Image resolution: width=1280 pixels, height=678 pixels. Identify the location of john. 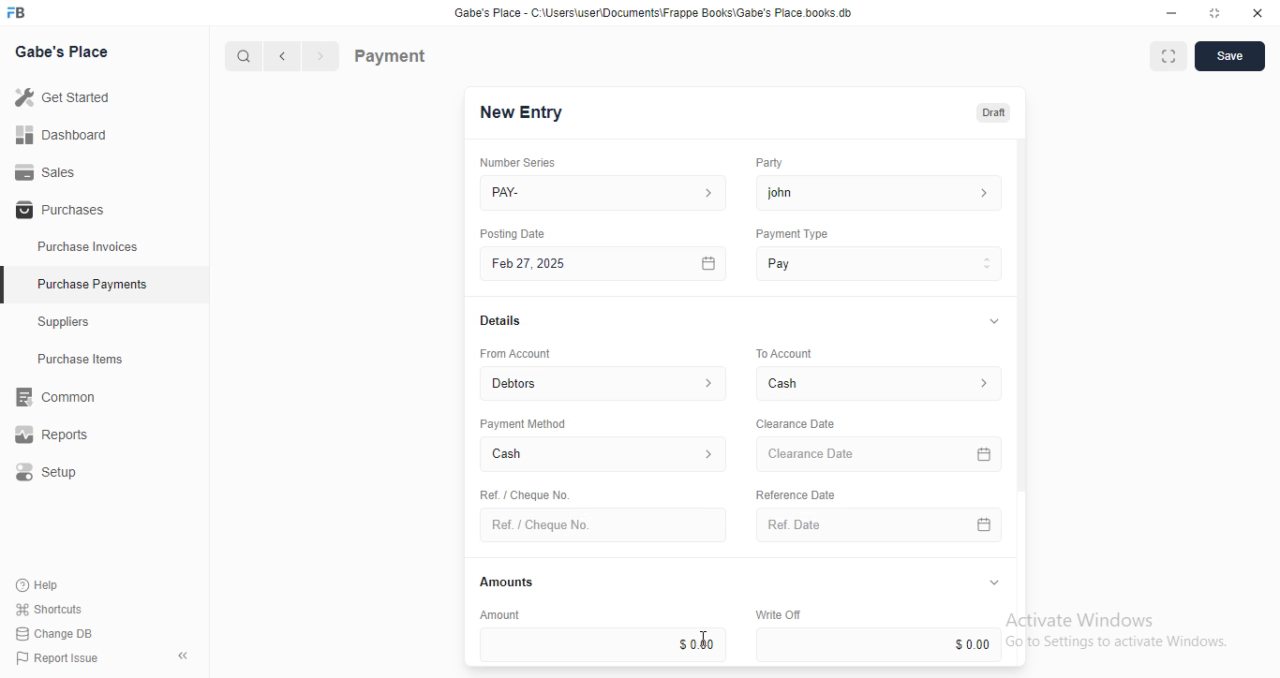
(879, 192).